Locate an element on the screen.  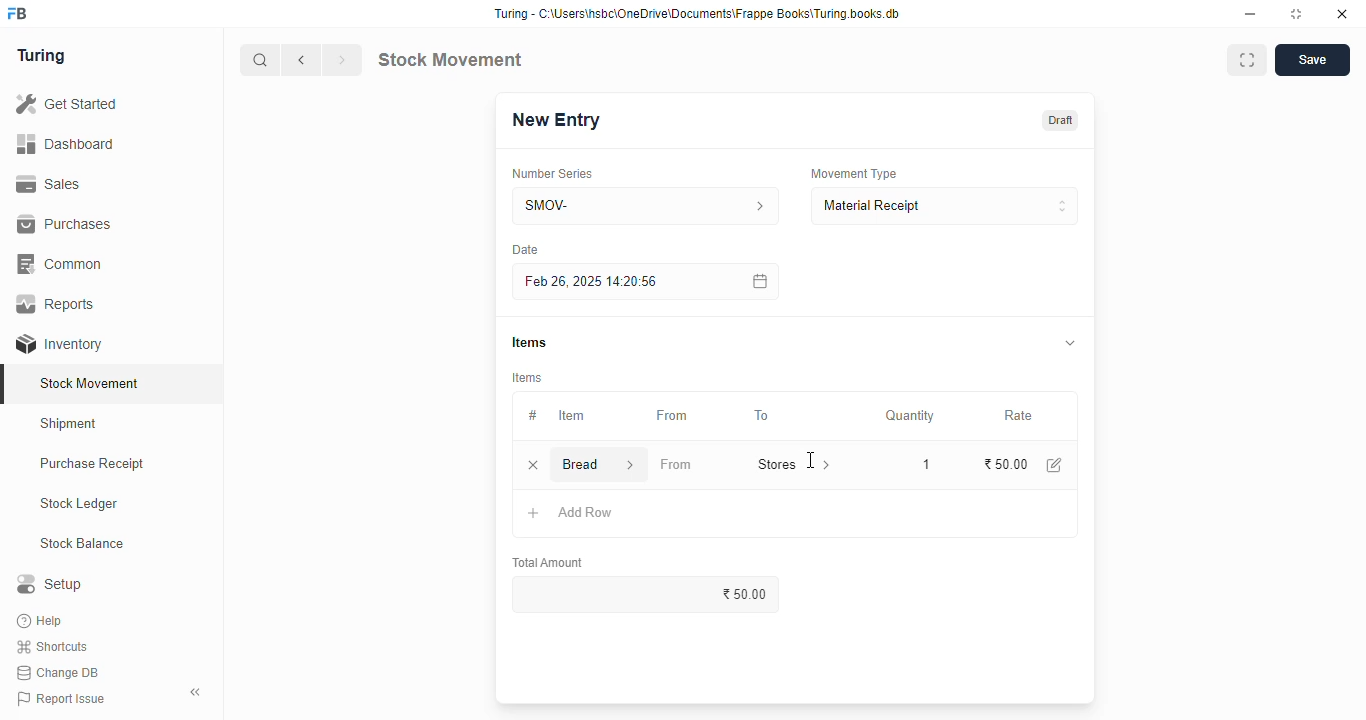
quantity is located at coordinates (910, 416).